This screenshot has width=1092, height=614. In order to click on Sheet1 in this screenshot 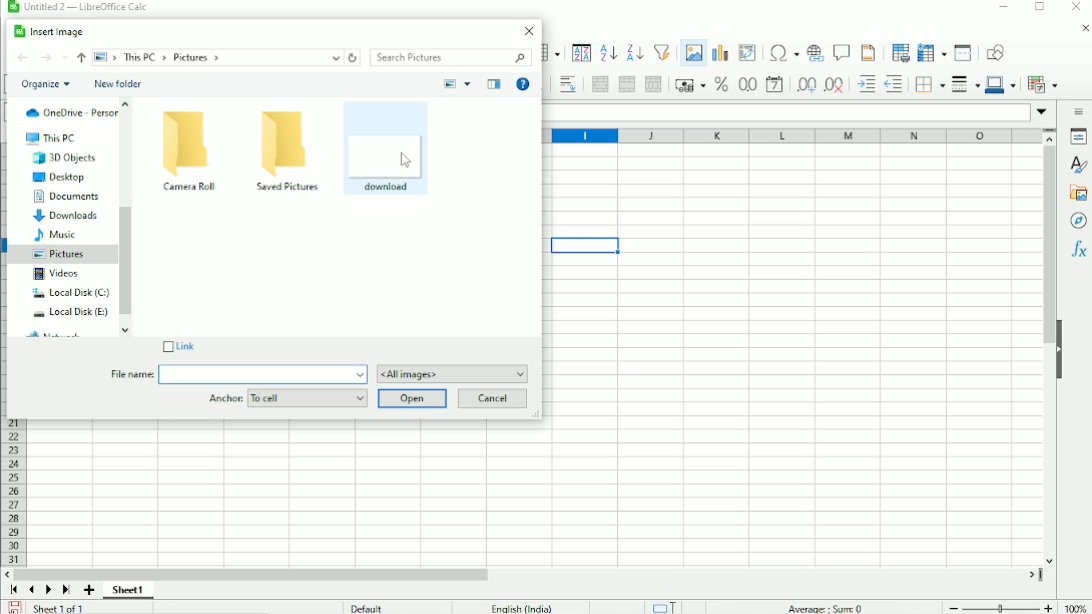, I will do `click(134, 590)`.